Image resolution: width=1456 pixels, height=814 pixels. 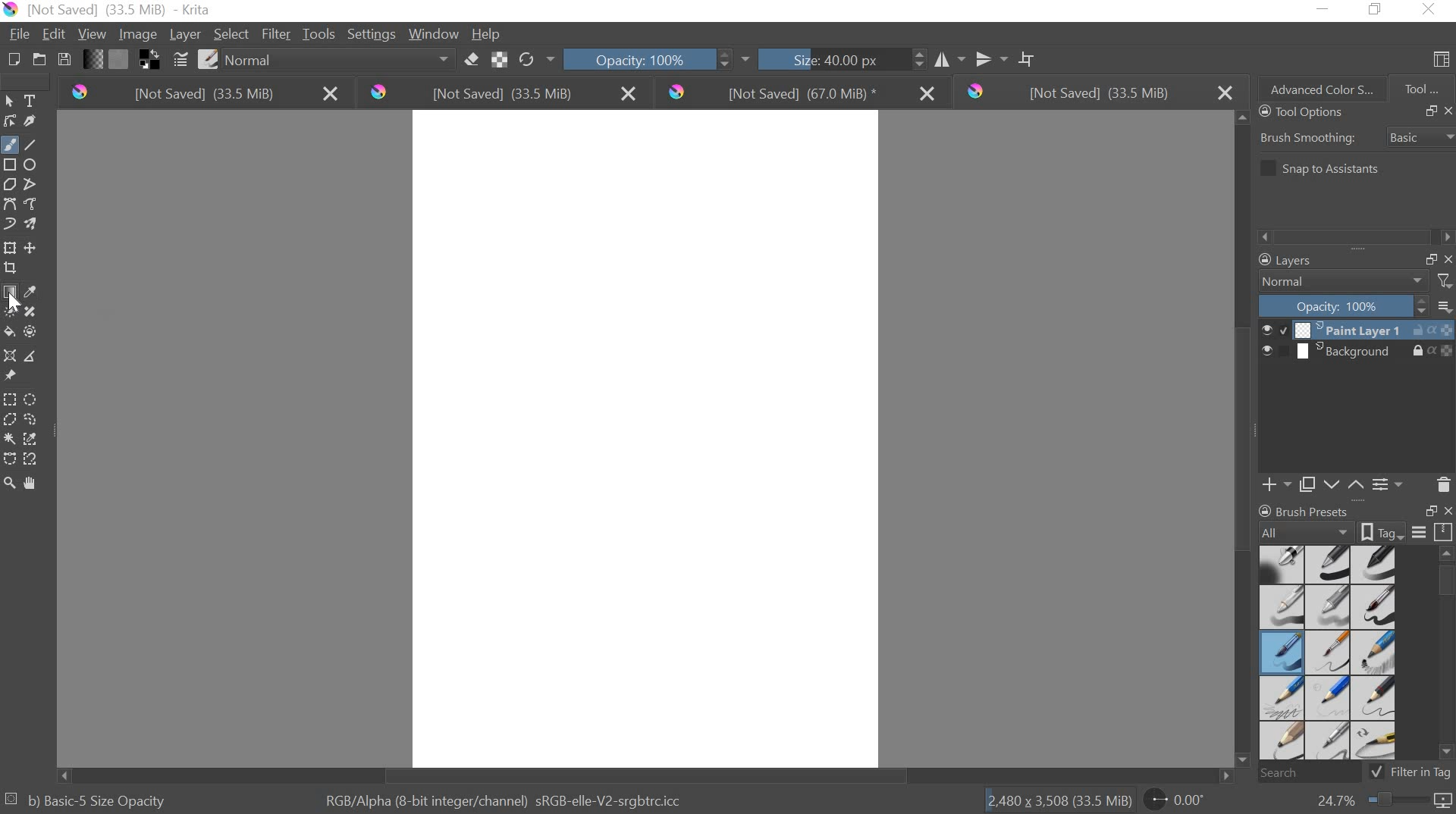 I want to click on bezier curve, so click(x=12, y=205).